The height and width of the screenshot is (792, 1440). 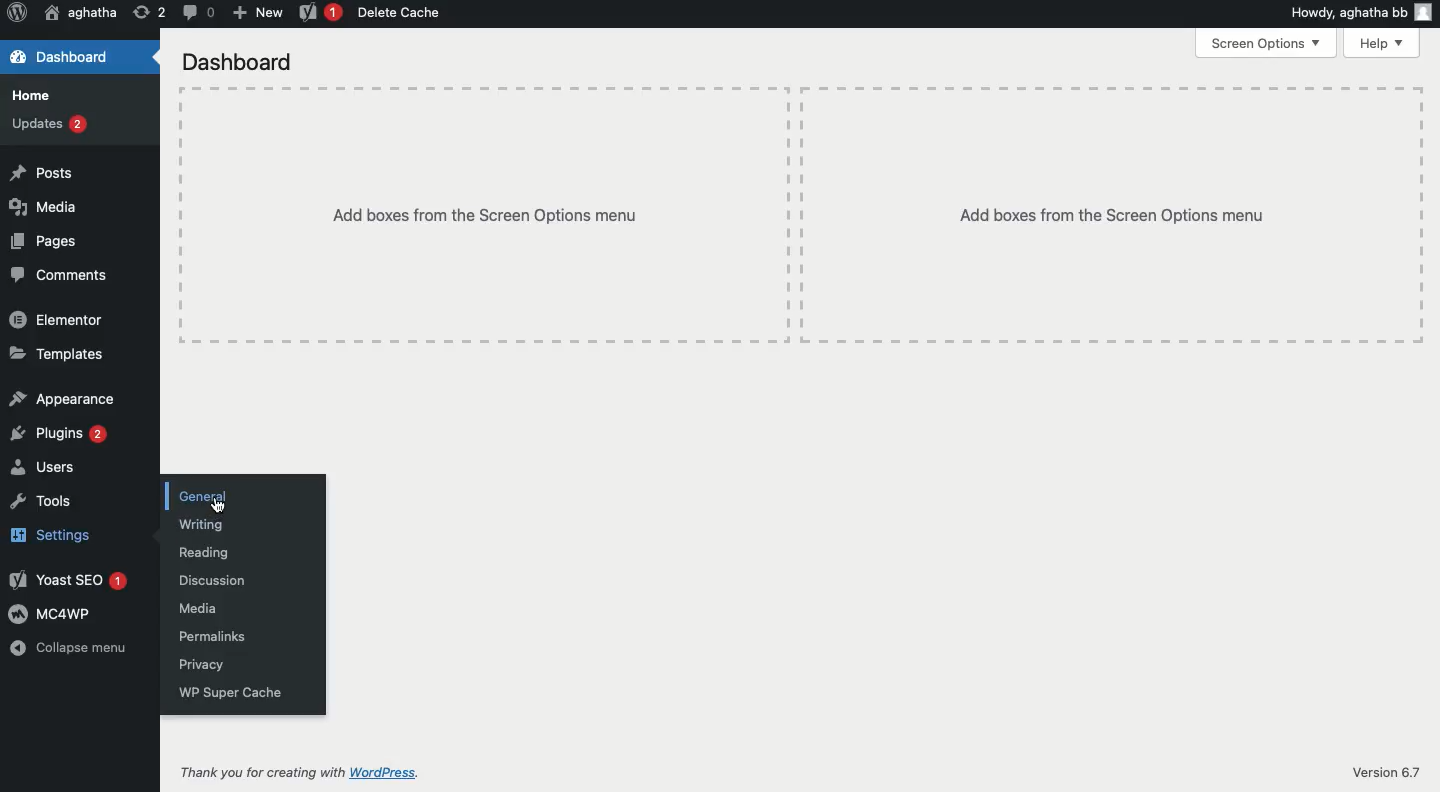 I want to click on Settings, so click(x=47, y=536).